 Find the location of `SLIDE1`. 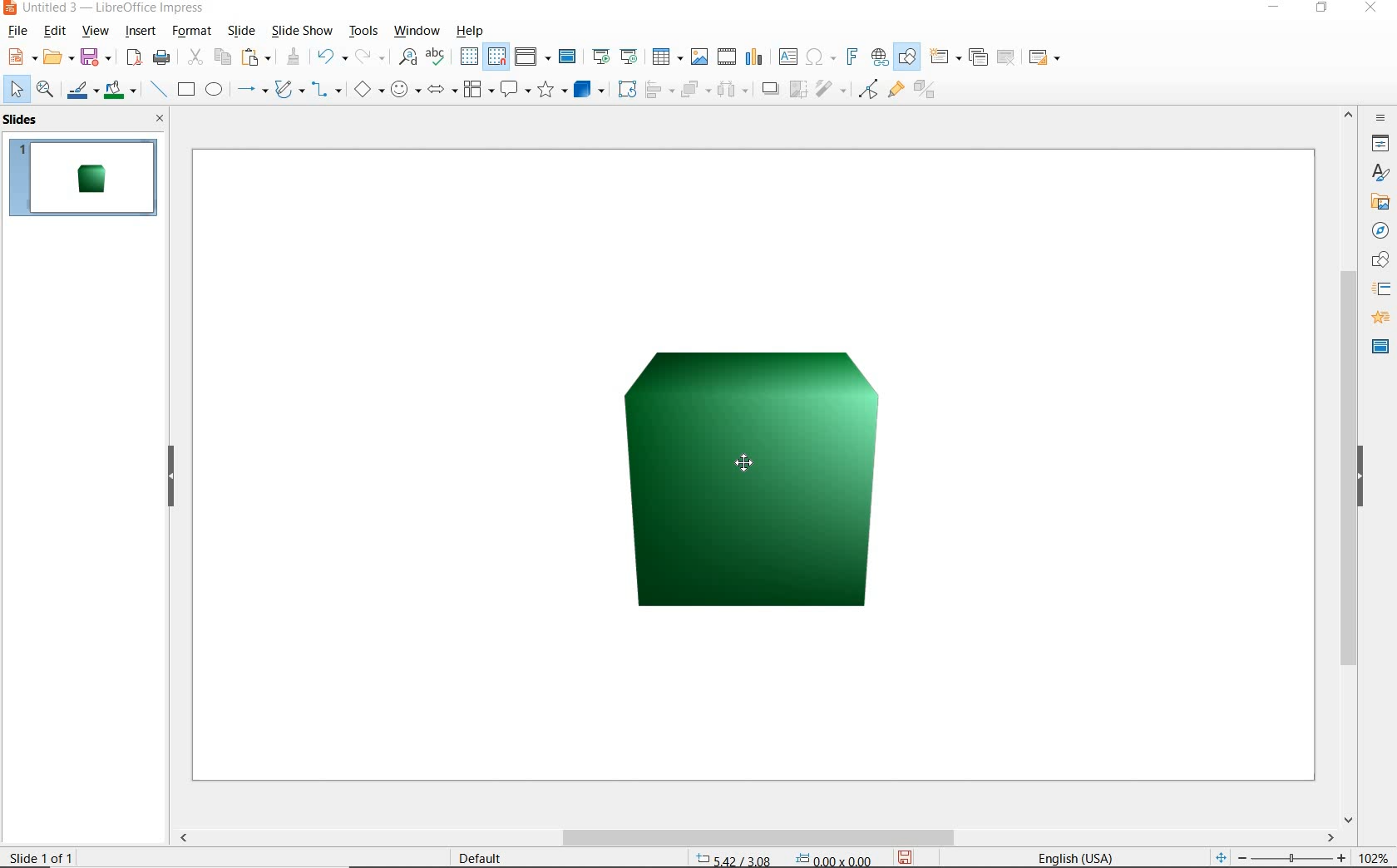

SLIDE1 is located at coordinates (84, 178).